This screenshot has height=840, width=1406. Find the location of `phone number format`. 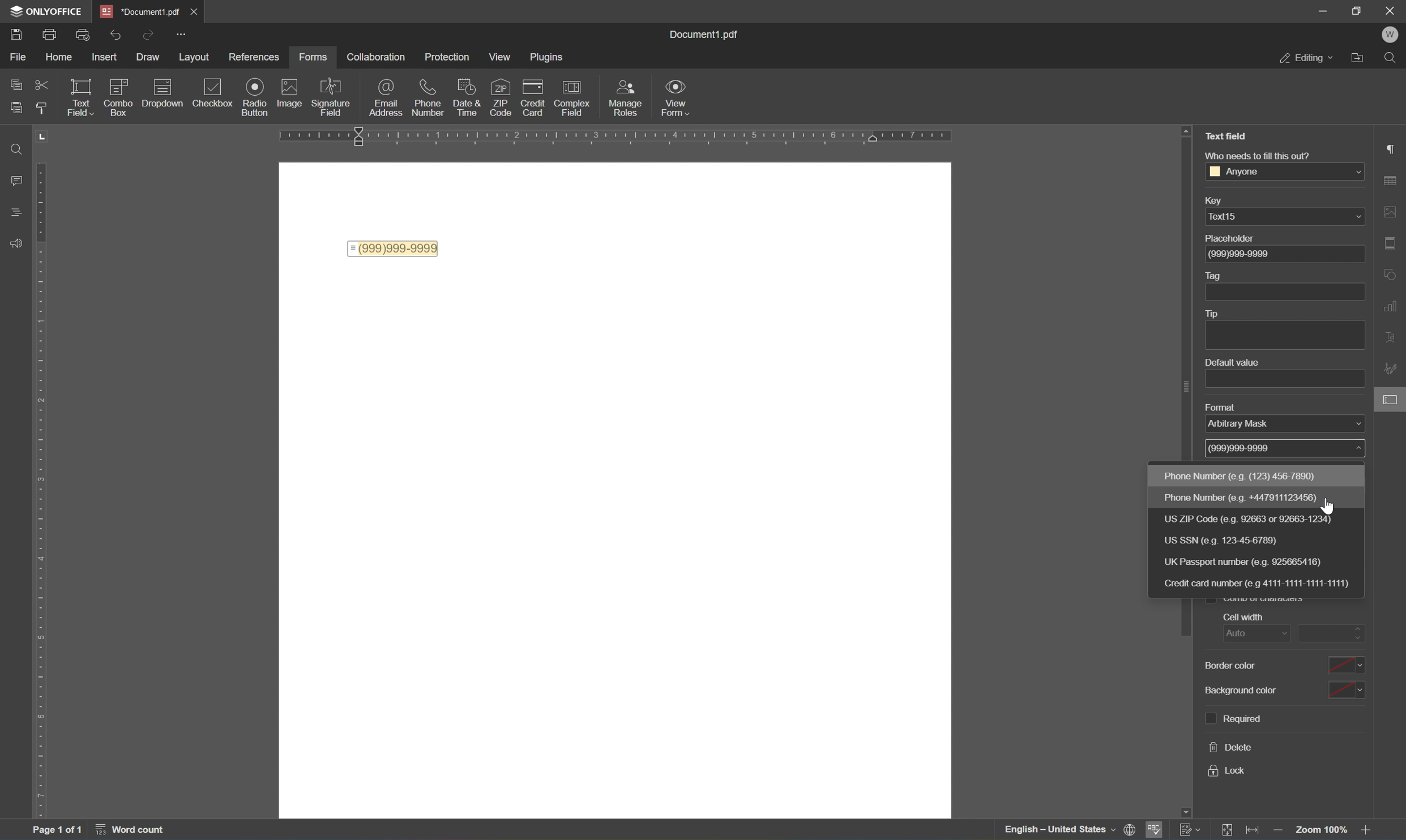

phone number format is located at coordinates (1243, 448).